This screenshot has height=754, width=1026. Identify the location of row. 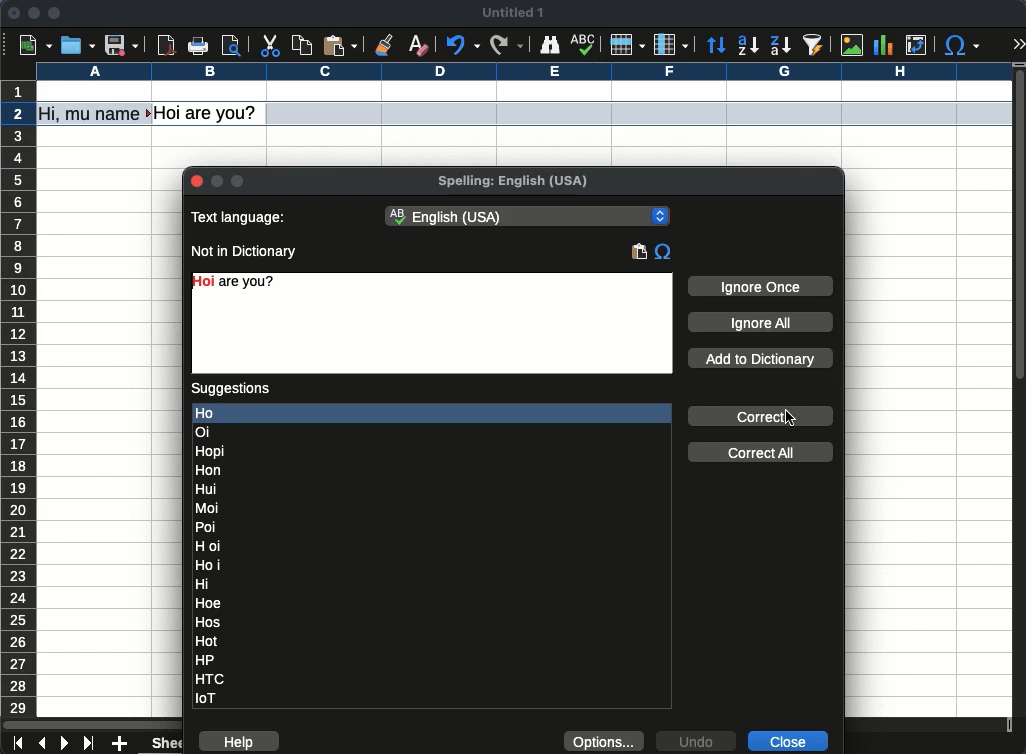
(627, 46).